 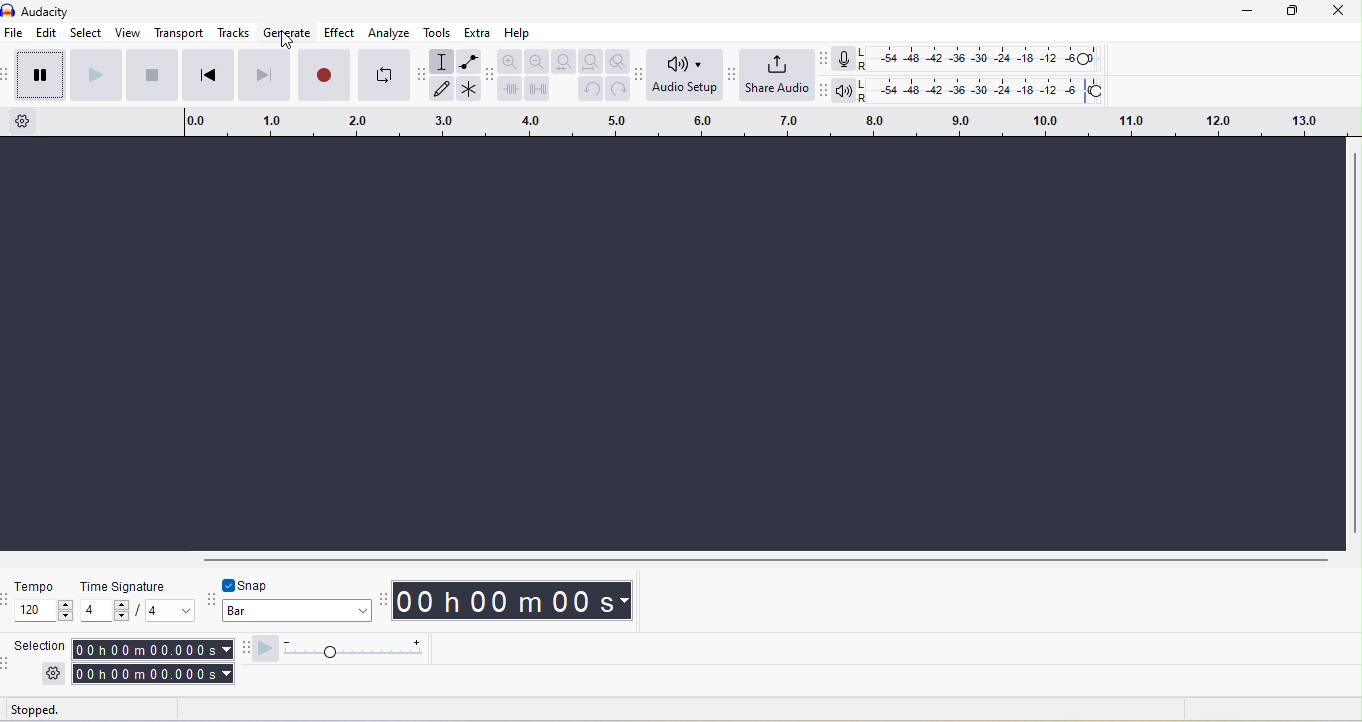 I want to click on audacity time toolbar, so click(x=384, y=598).